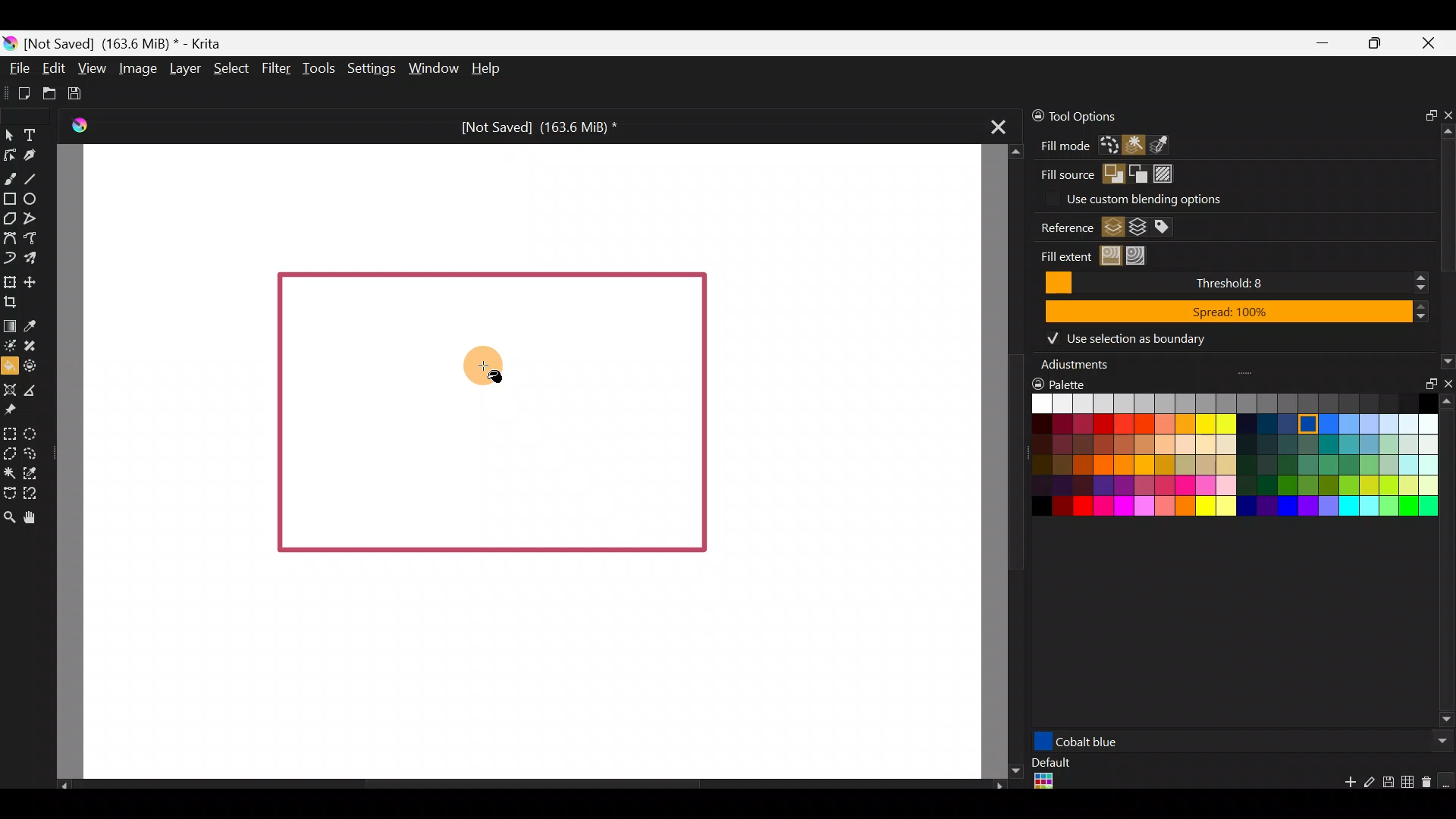 The height and width of the screenshot is (819, 1456). Describe the element at coordinates (36, 281) in the screenshot. I see `Move a layer` at that location.